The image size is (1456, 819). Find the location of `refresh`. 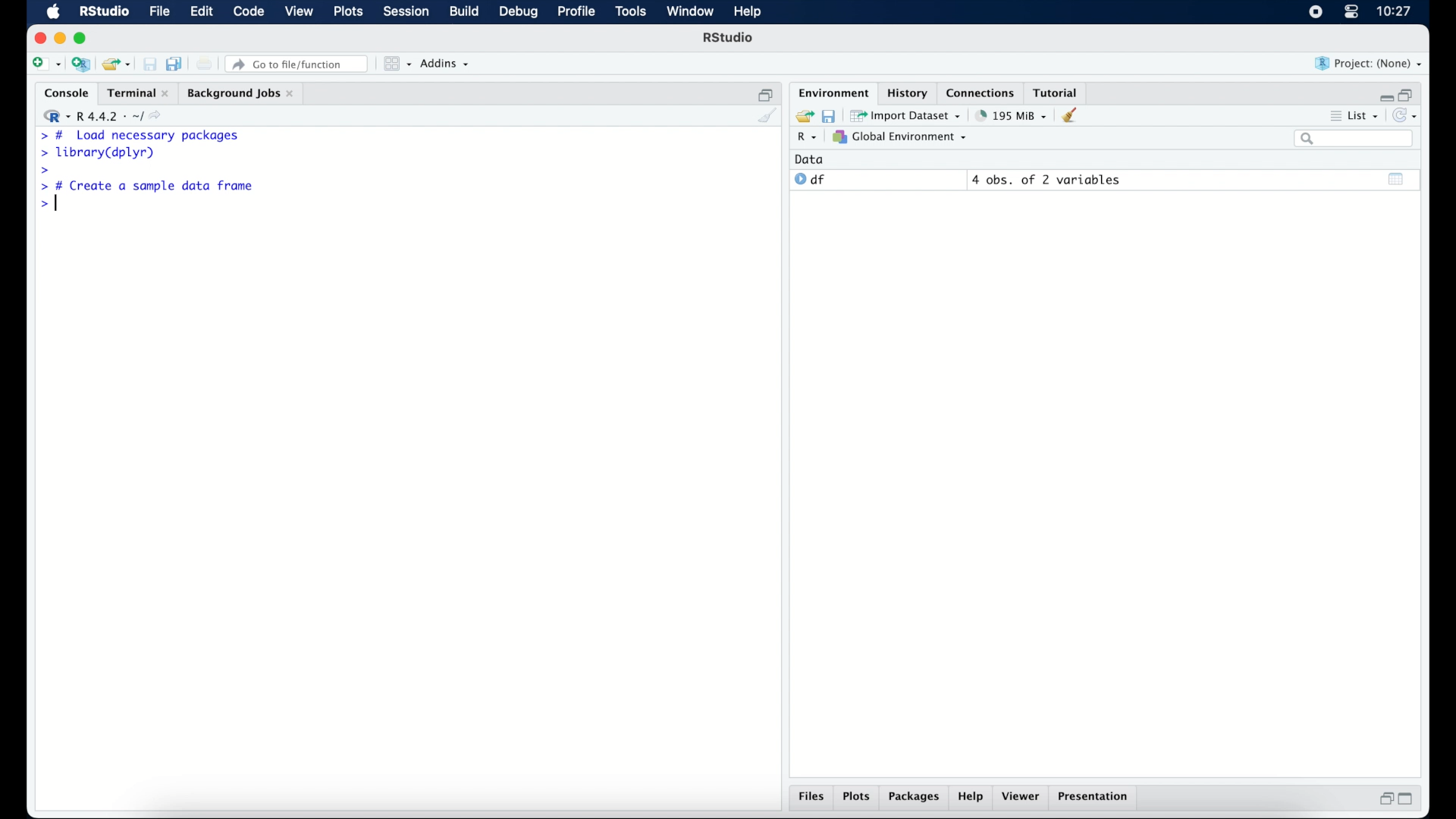

refresh is located at coordinates (1407, 117).